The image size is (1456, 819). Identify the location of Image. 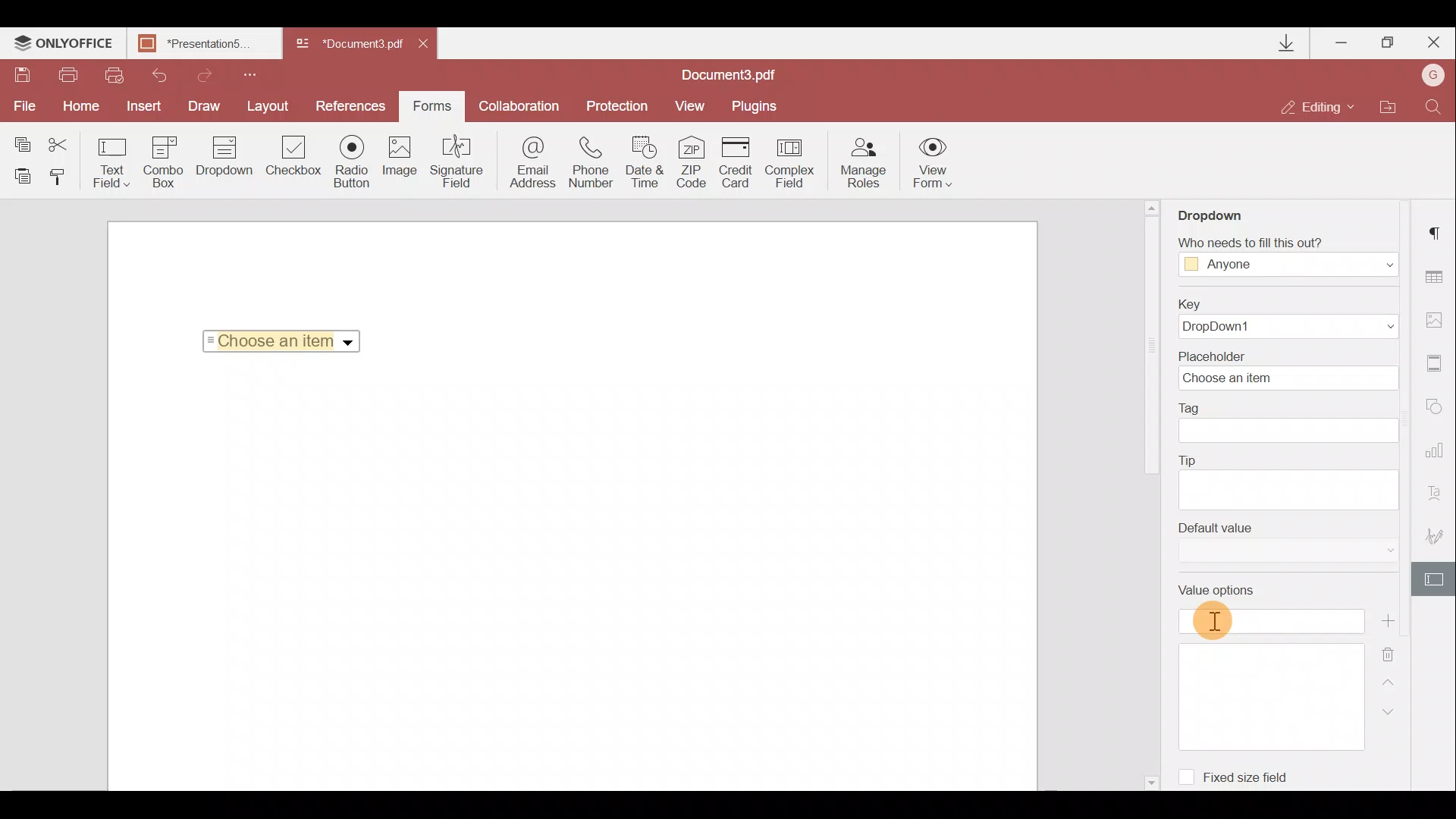
(401, 163).